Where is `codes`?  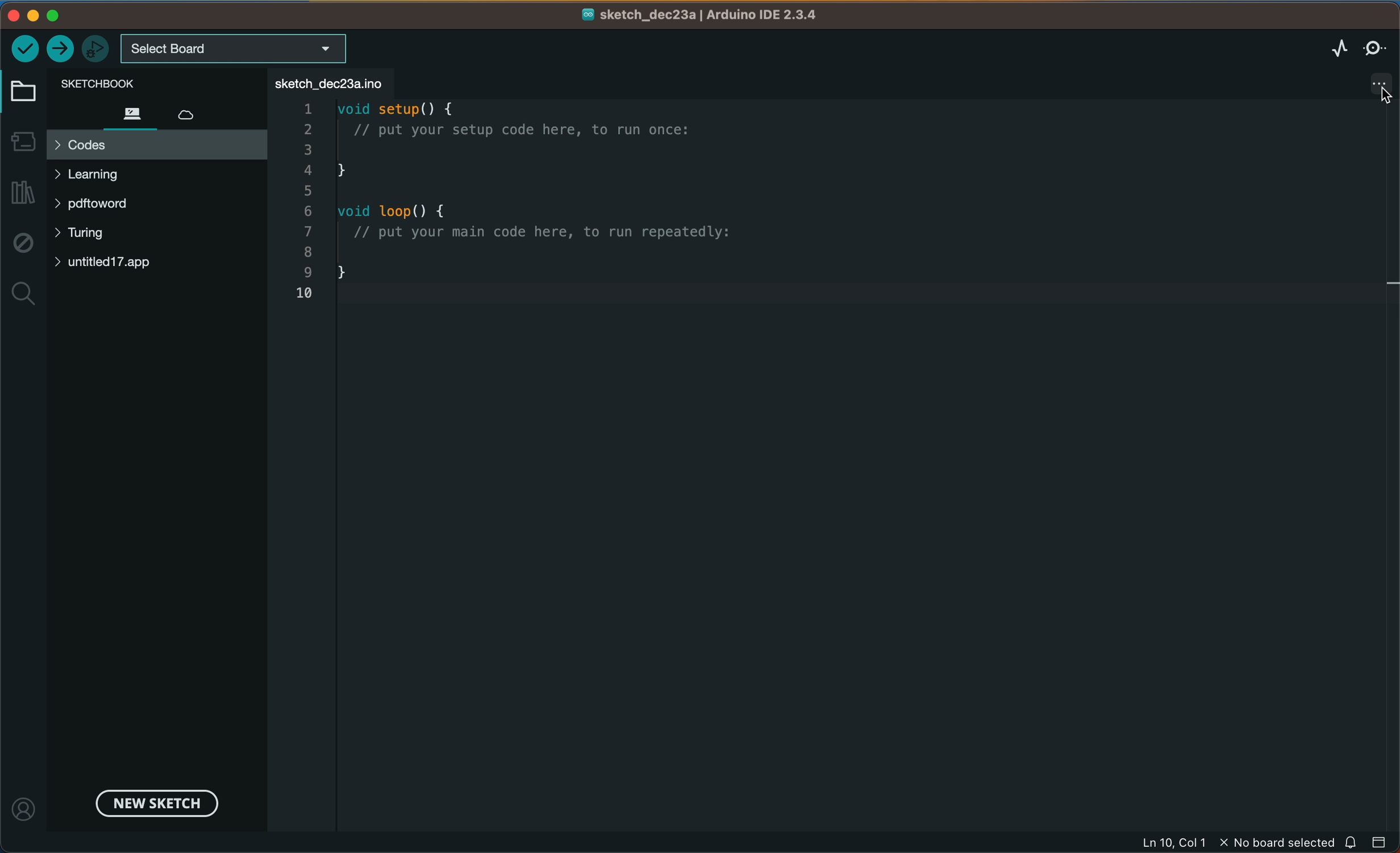
codes is located at coordinates (156, 145).